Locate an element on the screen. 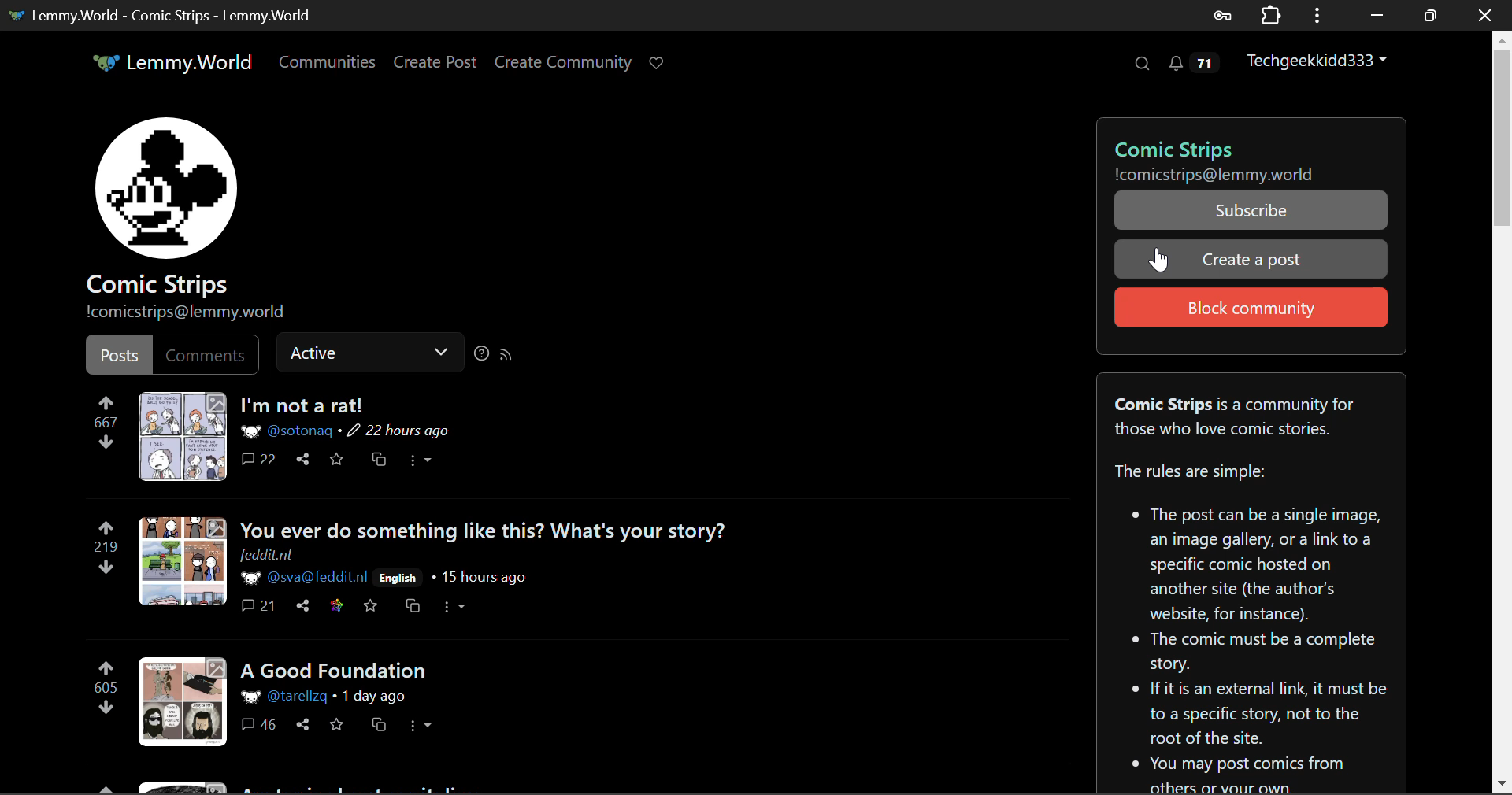 The width and height of the screenshot is (1512, 795). !comicstrips@lemmy.world is located at coordinates (184, 312).